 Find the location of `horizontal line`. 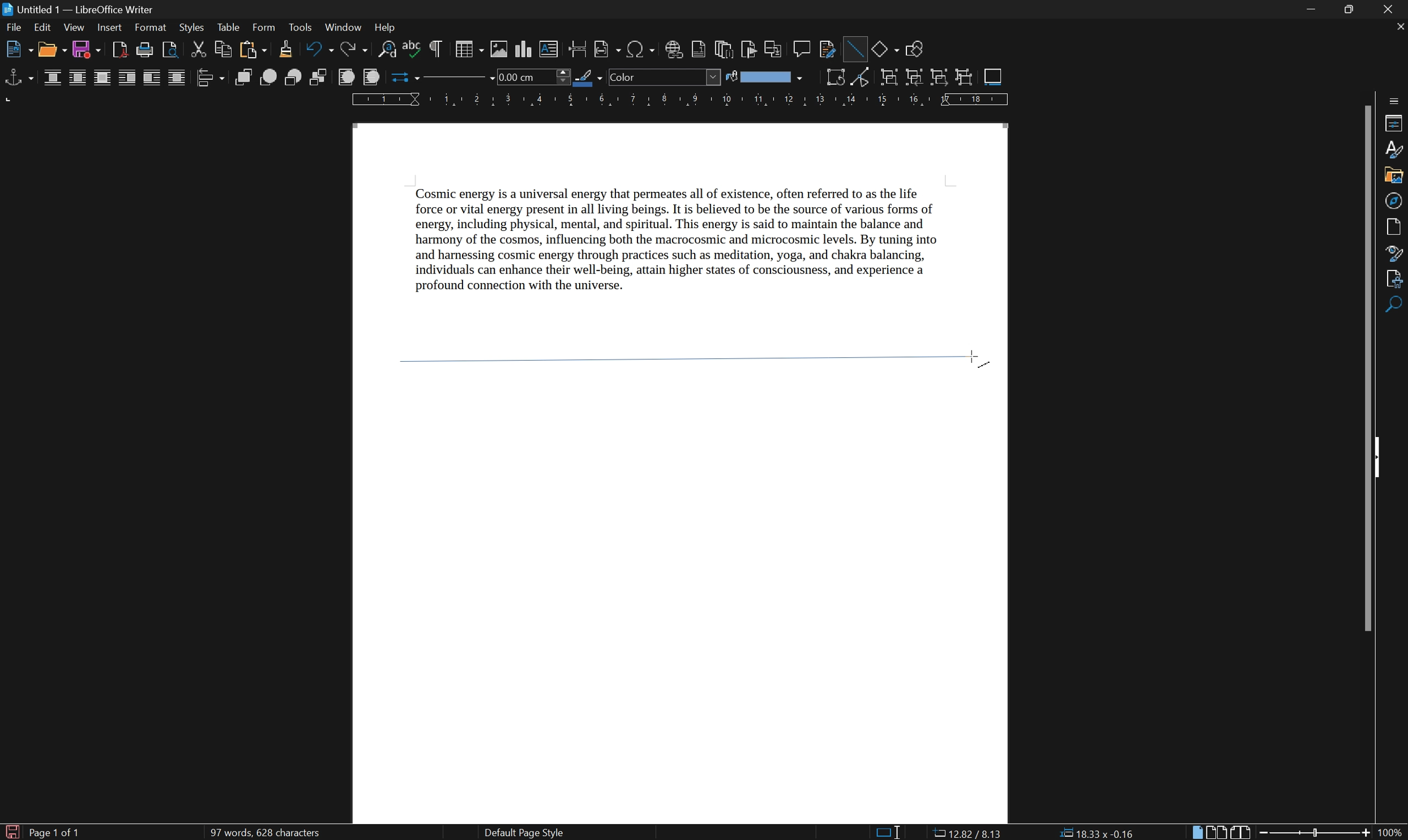

horizontal line is located at coordinates (677, 355).